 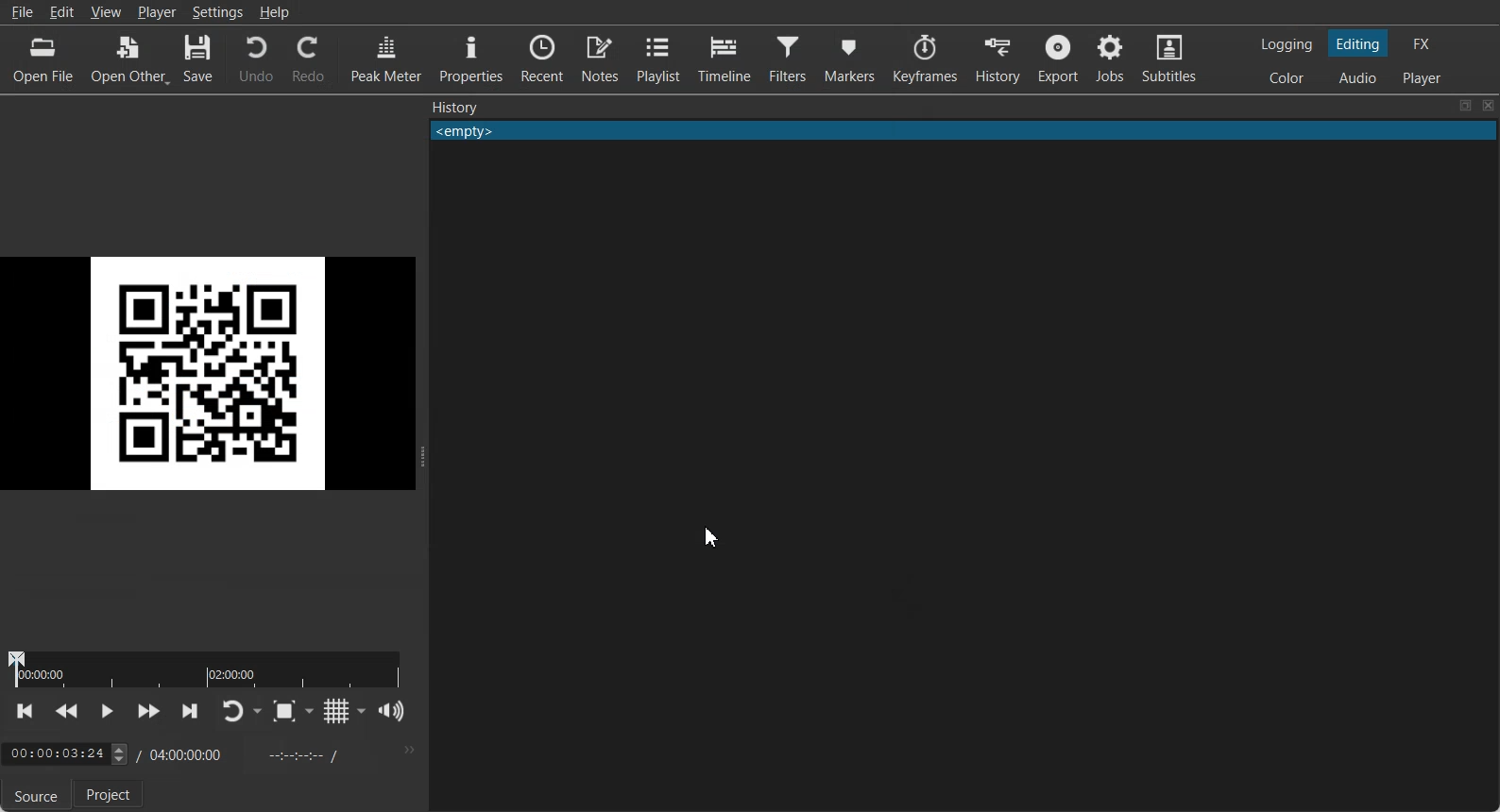 What do you see at coordinates (407, 750) in the screenshot?
I see `More` at bounding box center [407, 750].